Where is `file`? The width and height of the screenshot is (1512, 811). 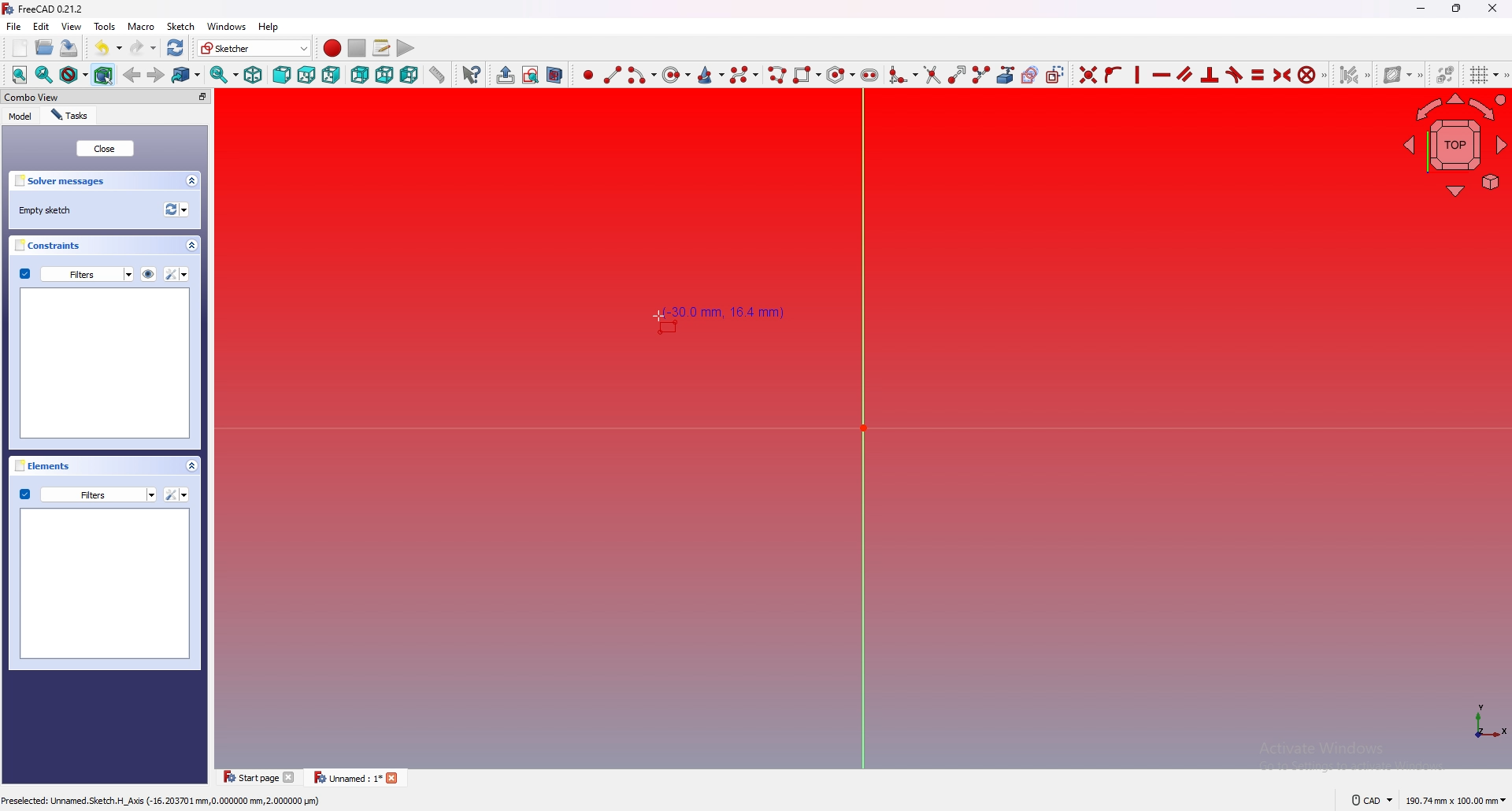 file is located at coordinates (14, 26).